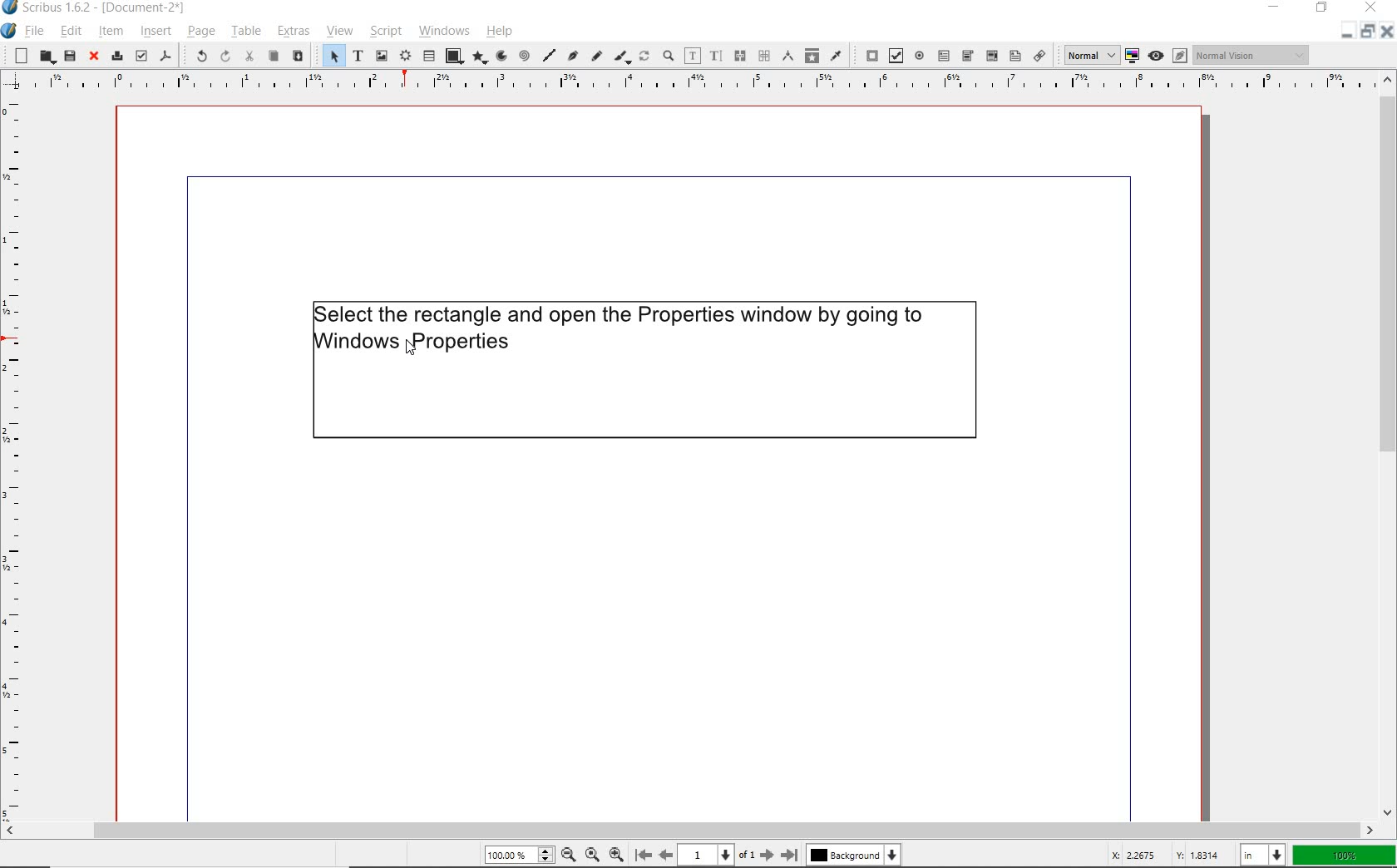 This screenshot has width=1397, height=868. What do you see at coordinates (274, 57) in the screenshot?
I see `copy` at bounding box center [274, 57].